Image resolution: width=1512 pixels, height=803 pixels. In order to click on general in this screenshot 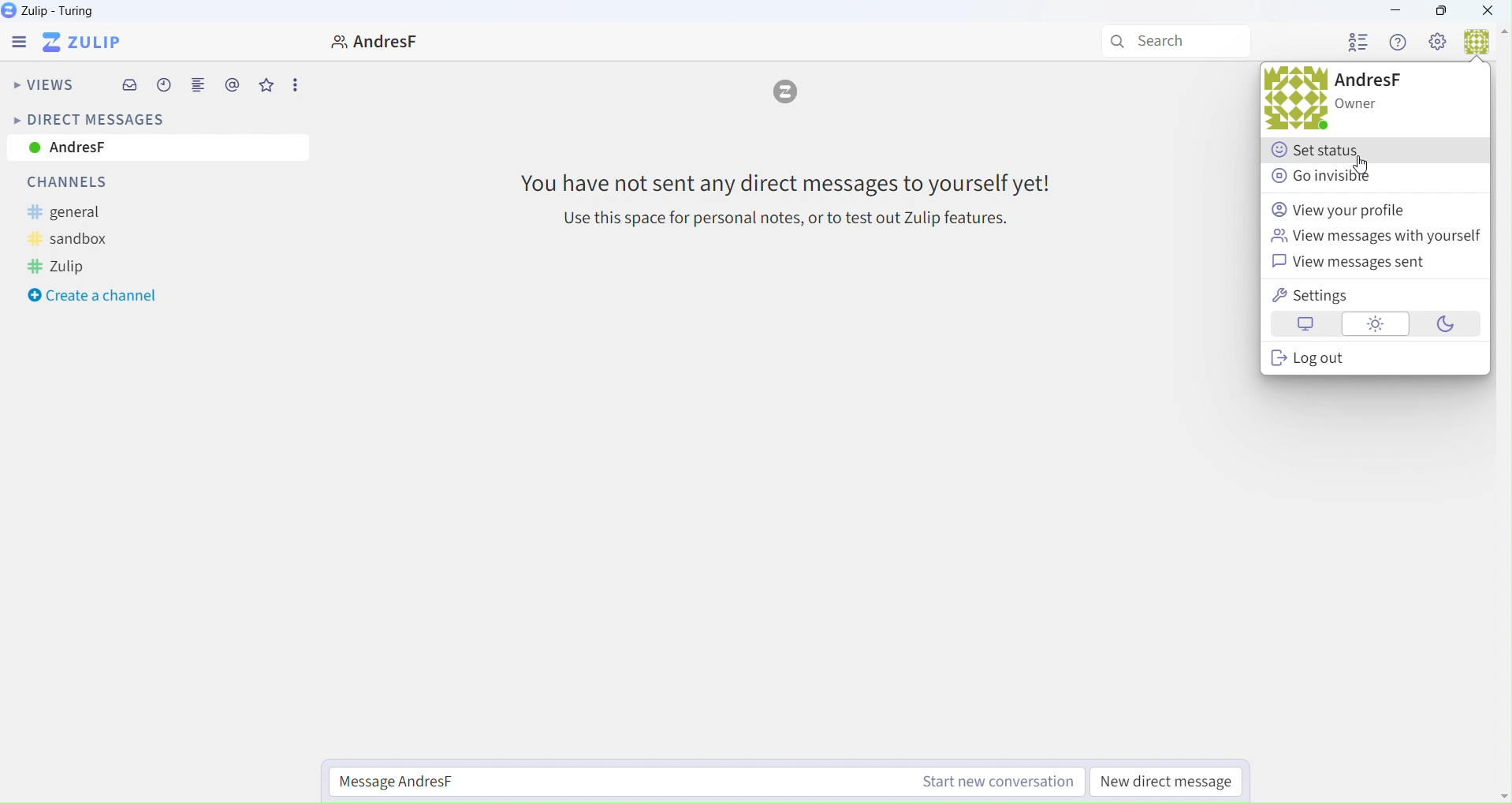, I will do `click(76, 213)`.